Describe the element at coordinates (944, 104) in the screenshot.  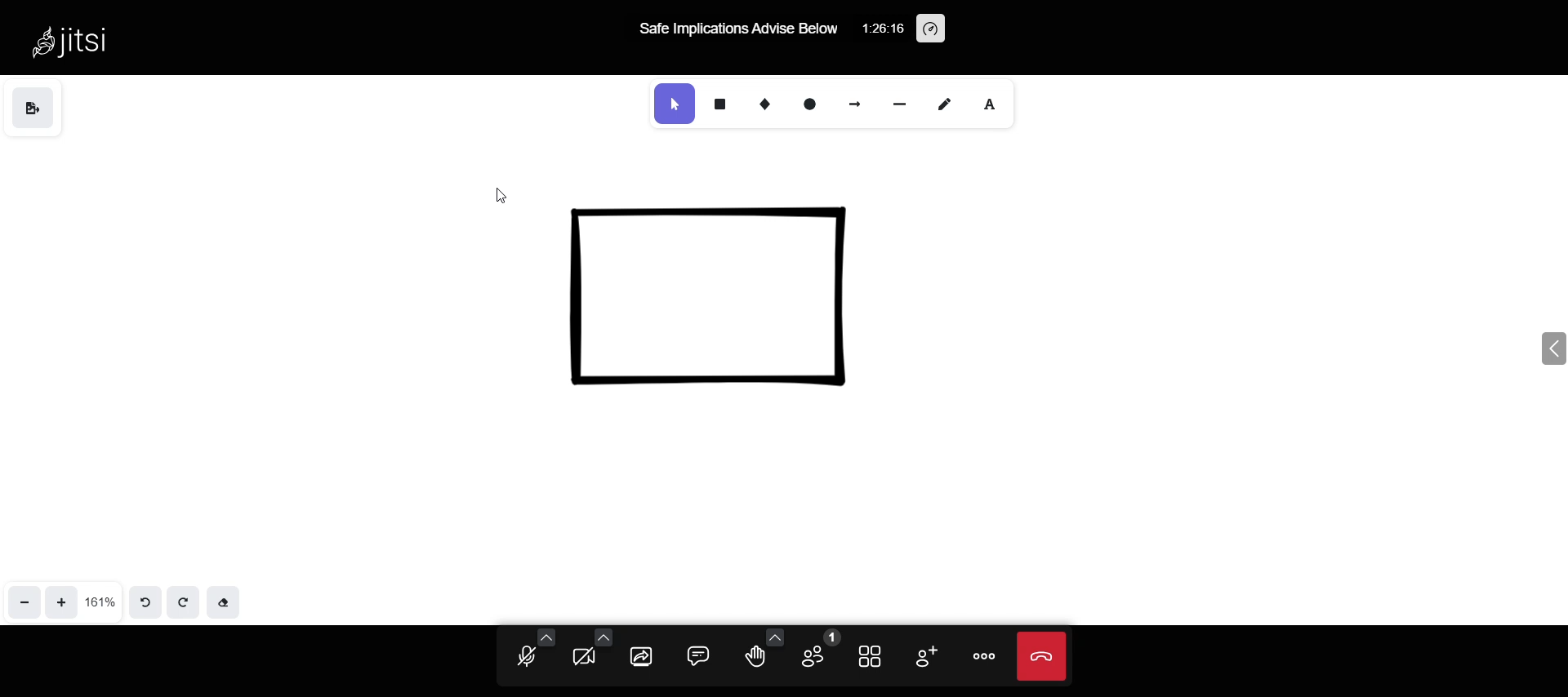
I see `draw` at that location.